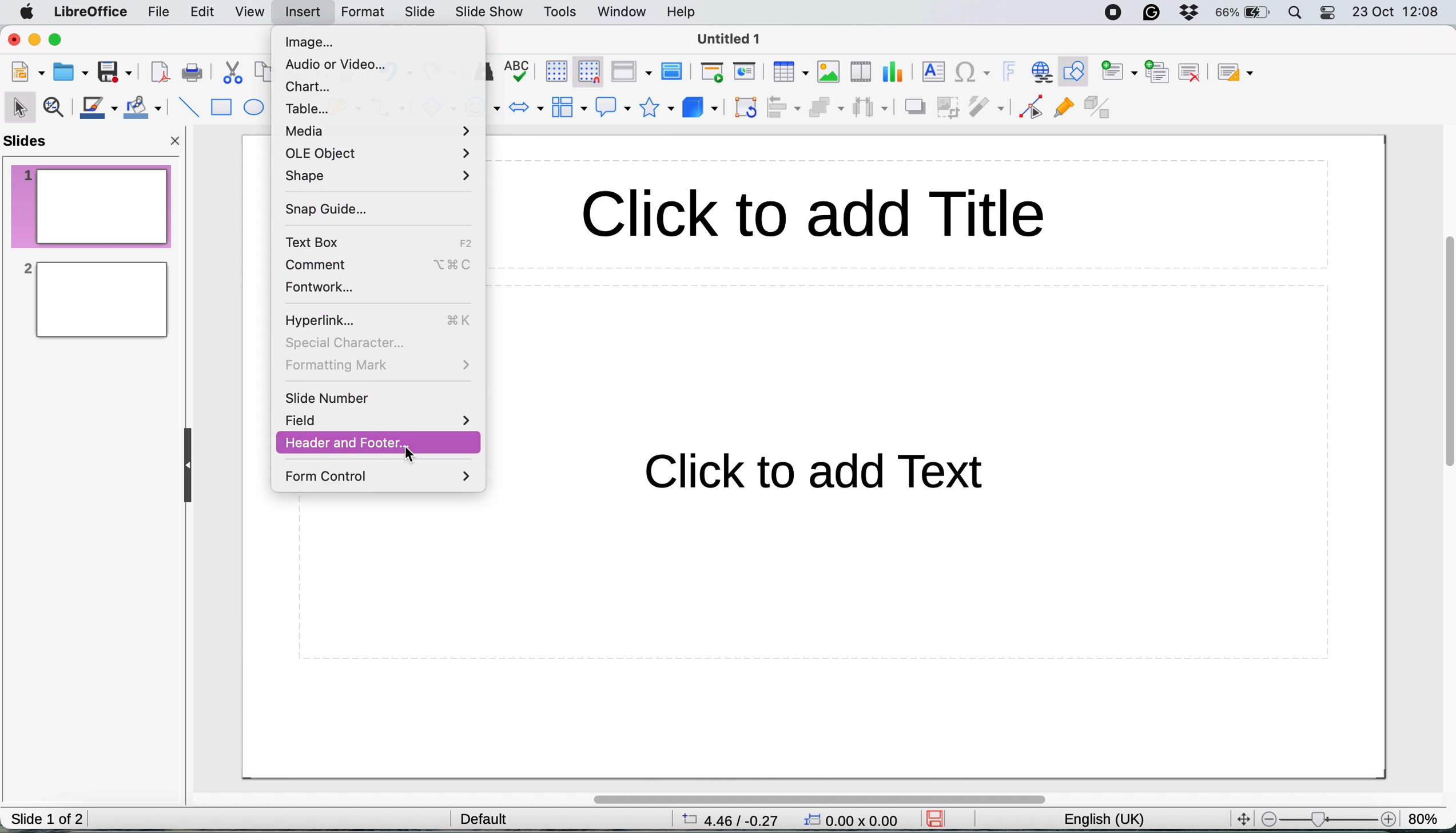 The width and height of the screenshot is (1456, 833). What do you see at coordinates (675, 72) in the screenshot?
I see `master slide` at bounding box center [675, 72].